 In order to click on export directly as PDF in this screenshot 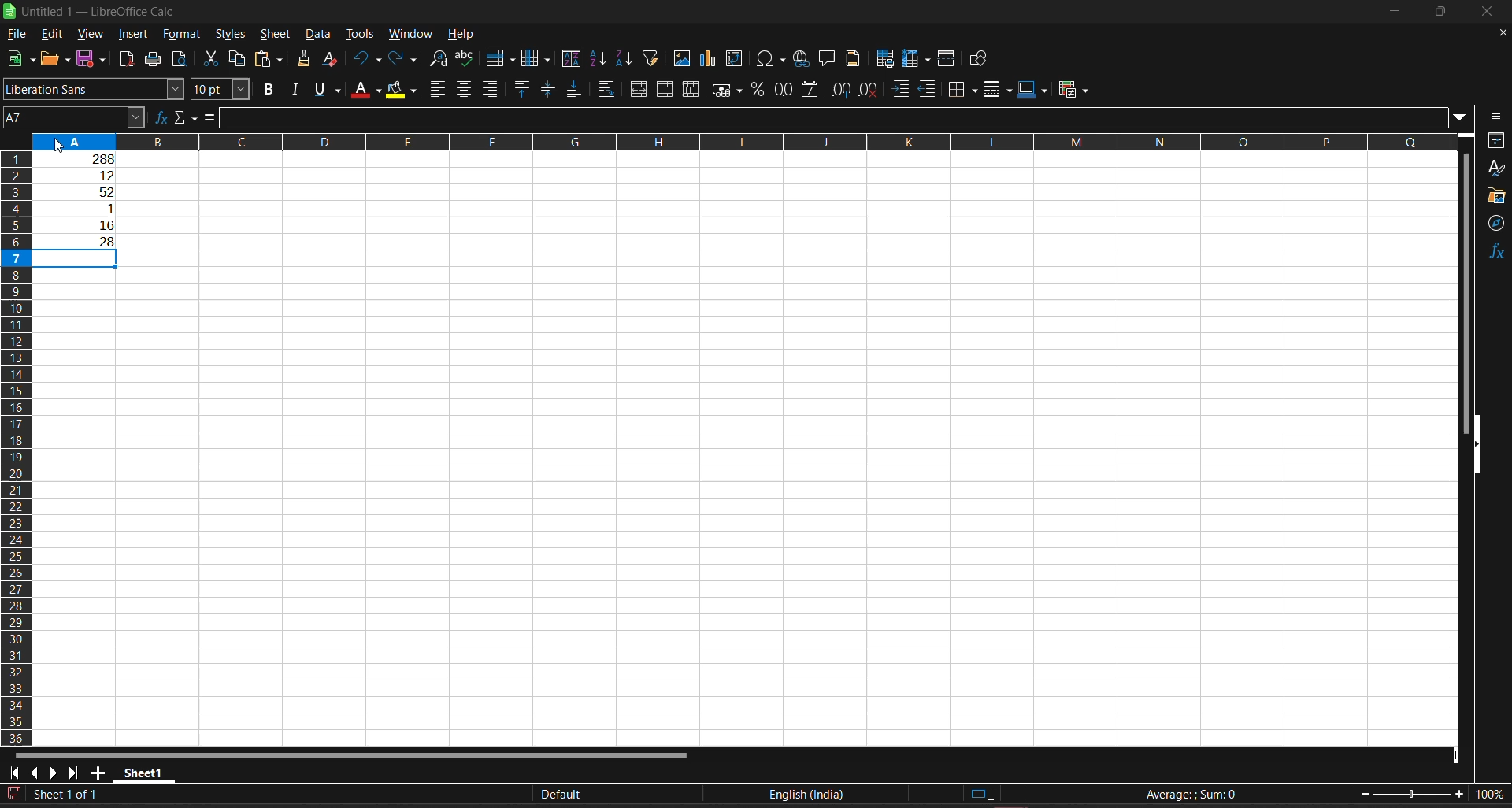, I will do `click(126, 61)`.